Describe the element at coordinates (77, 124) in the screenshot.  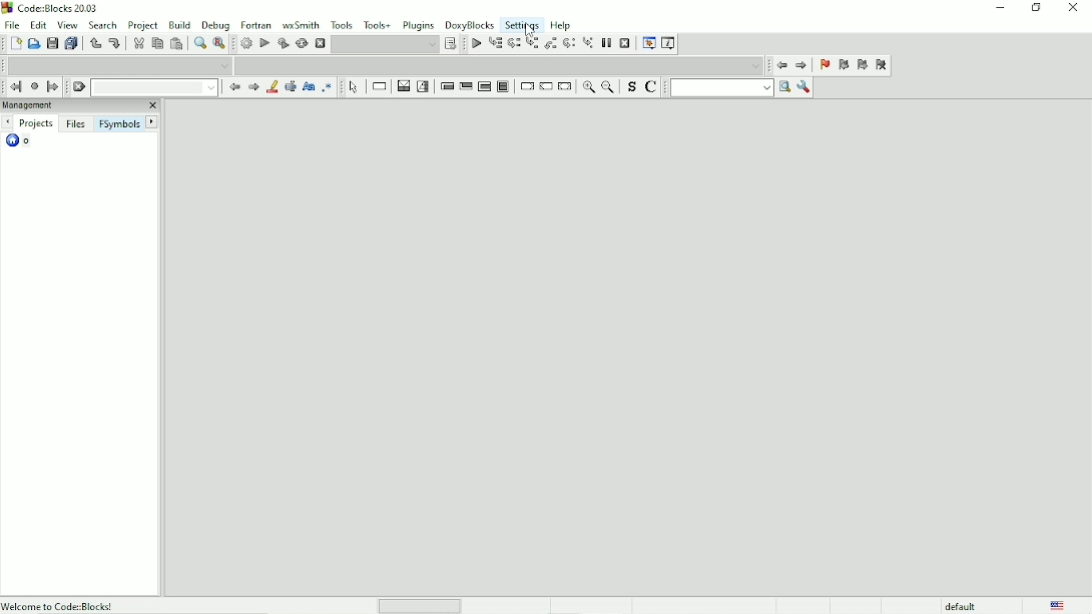
I see `Files` at that location.